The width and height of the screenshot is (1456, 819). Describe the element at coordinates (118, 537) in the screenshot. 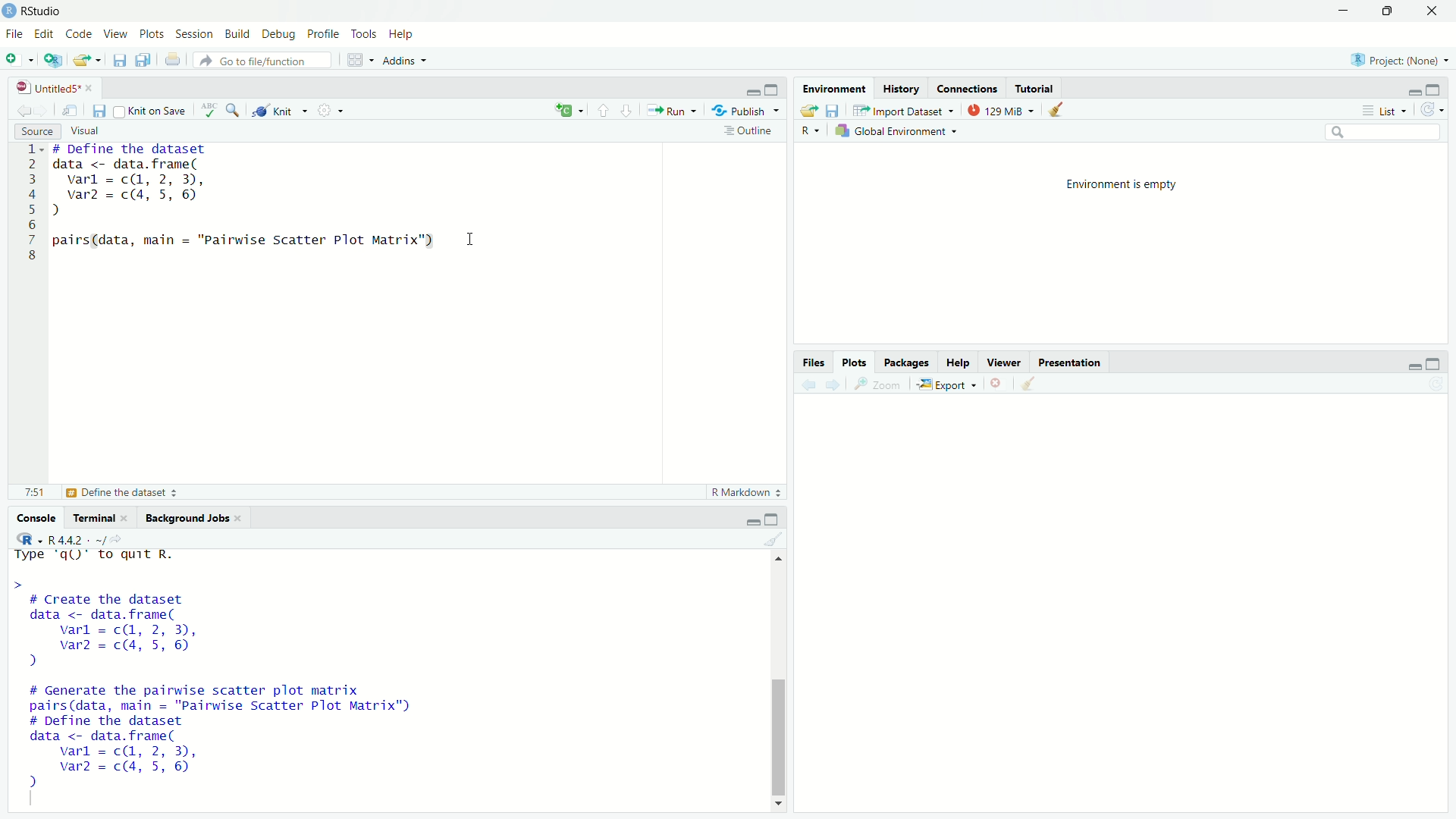

I see `View the current working directory` at that location.